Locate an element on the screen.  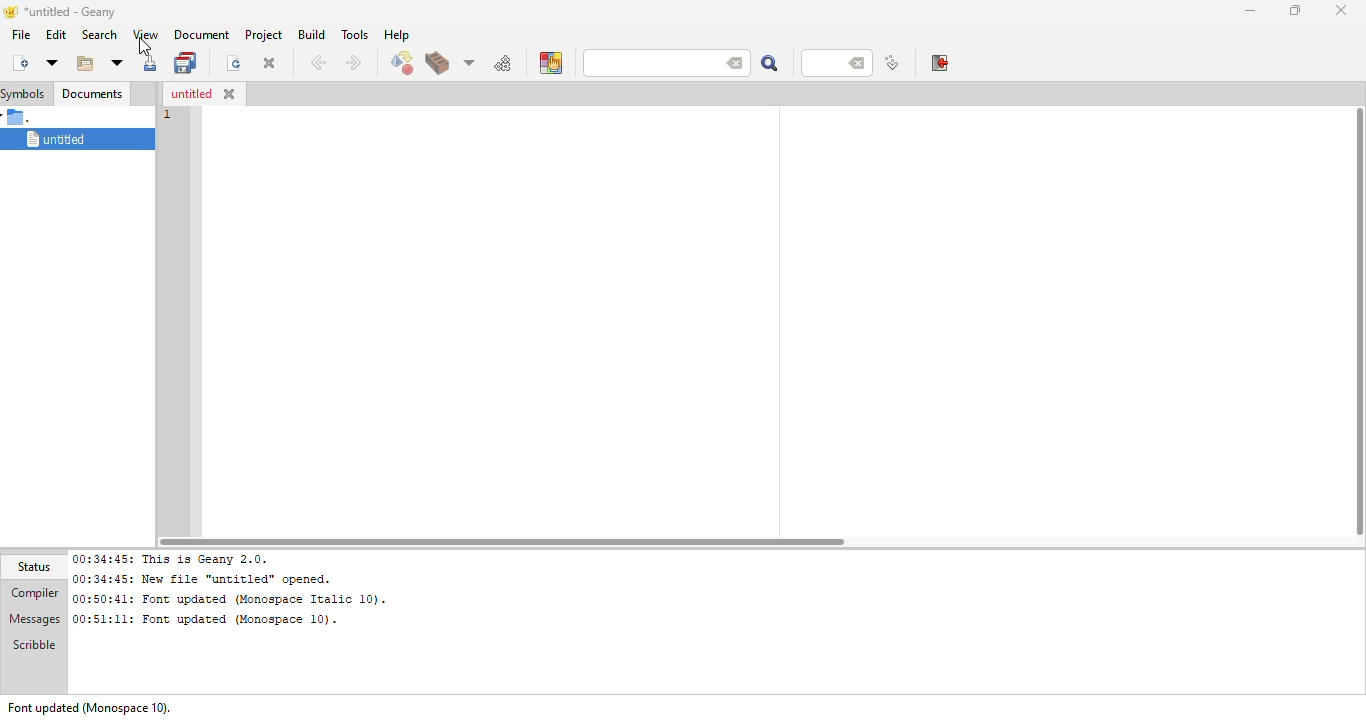
symbols is located at coordinates (25, 93).